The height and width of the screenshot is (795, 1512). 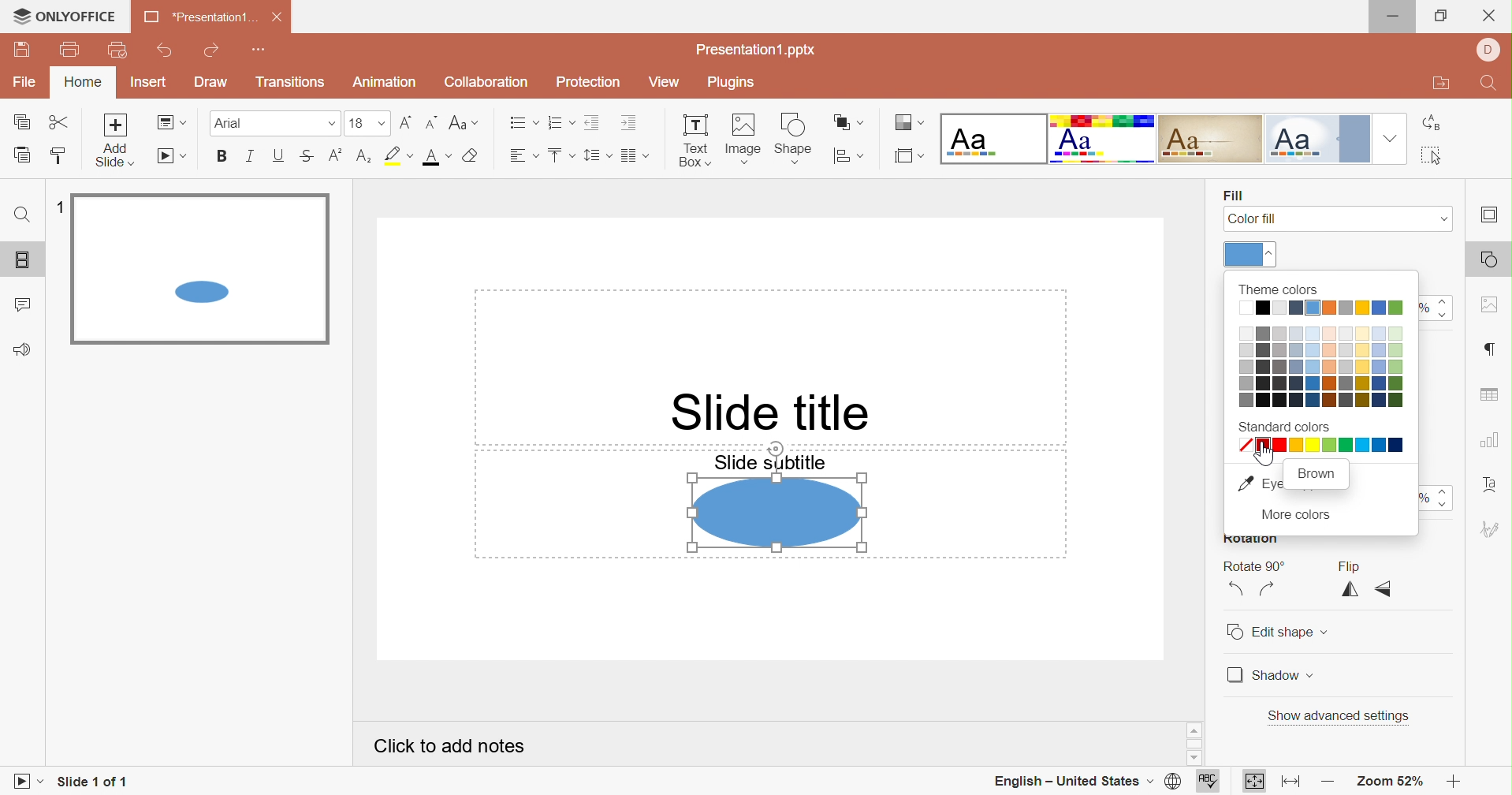 I want to click on Rotate 90° Counterclockwise, so click(x=1236, y=590).